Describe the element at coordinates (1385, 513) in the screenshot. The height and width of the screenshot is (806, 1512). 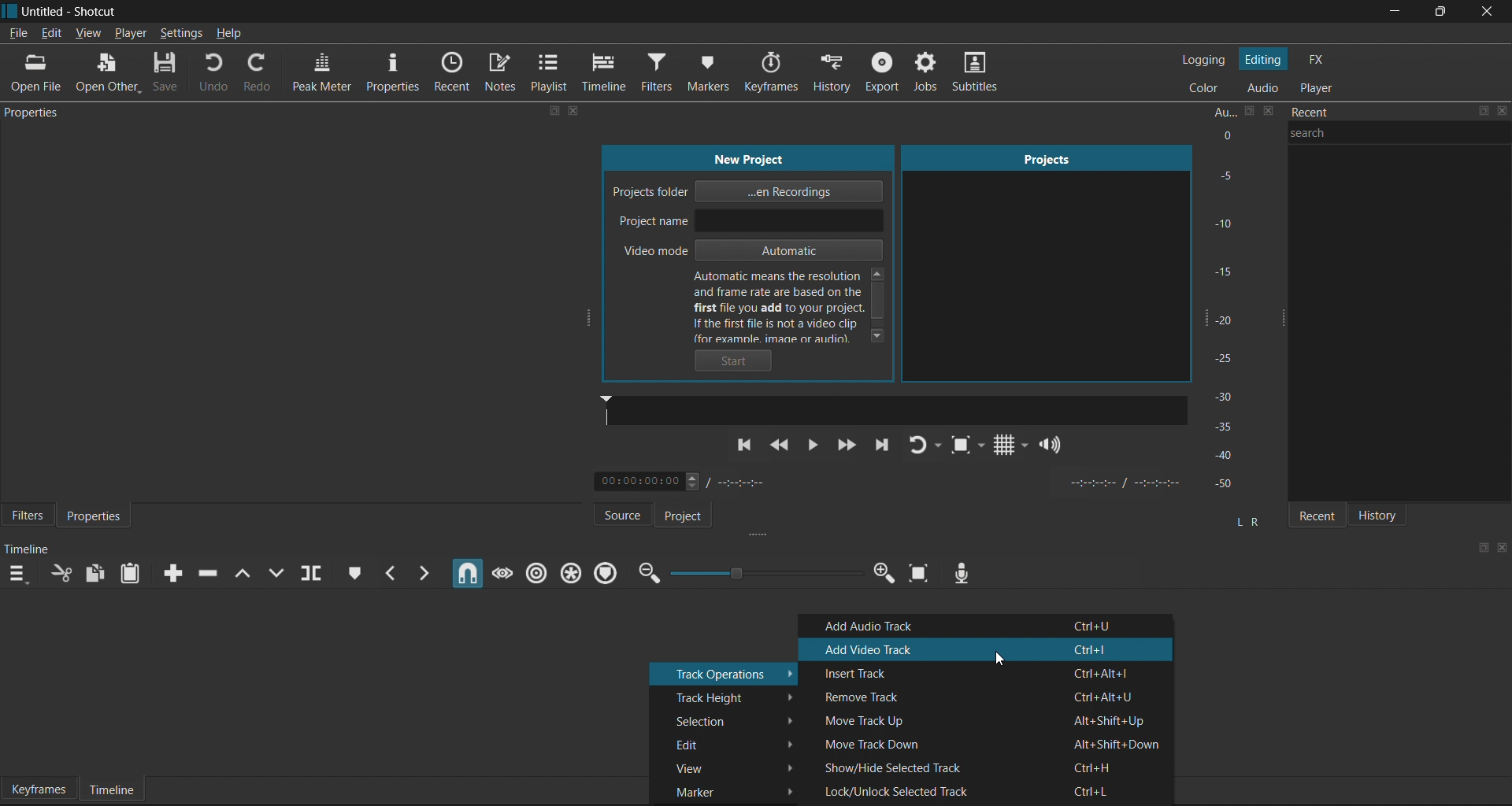
I see `History` at that location.